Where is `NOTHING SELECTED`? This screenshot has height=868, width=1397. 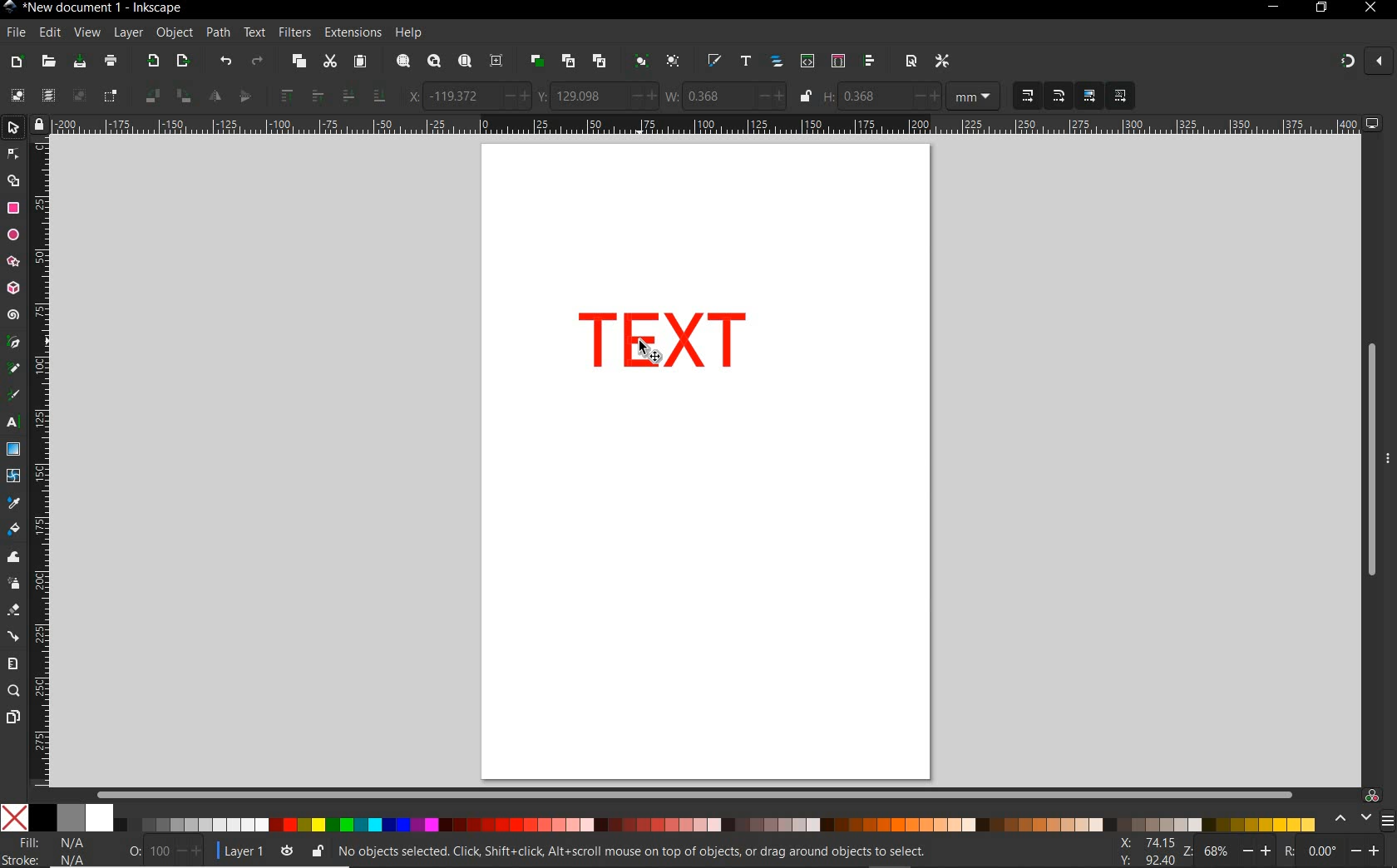
NOTHING SELECTED is located at coordinates (166, 854).